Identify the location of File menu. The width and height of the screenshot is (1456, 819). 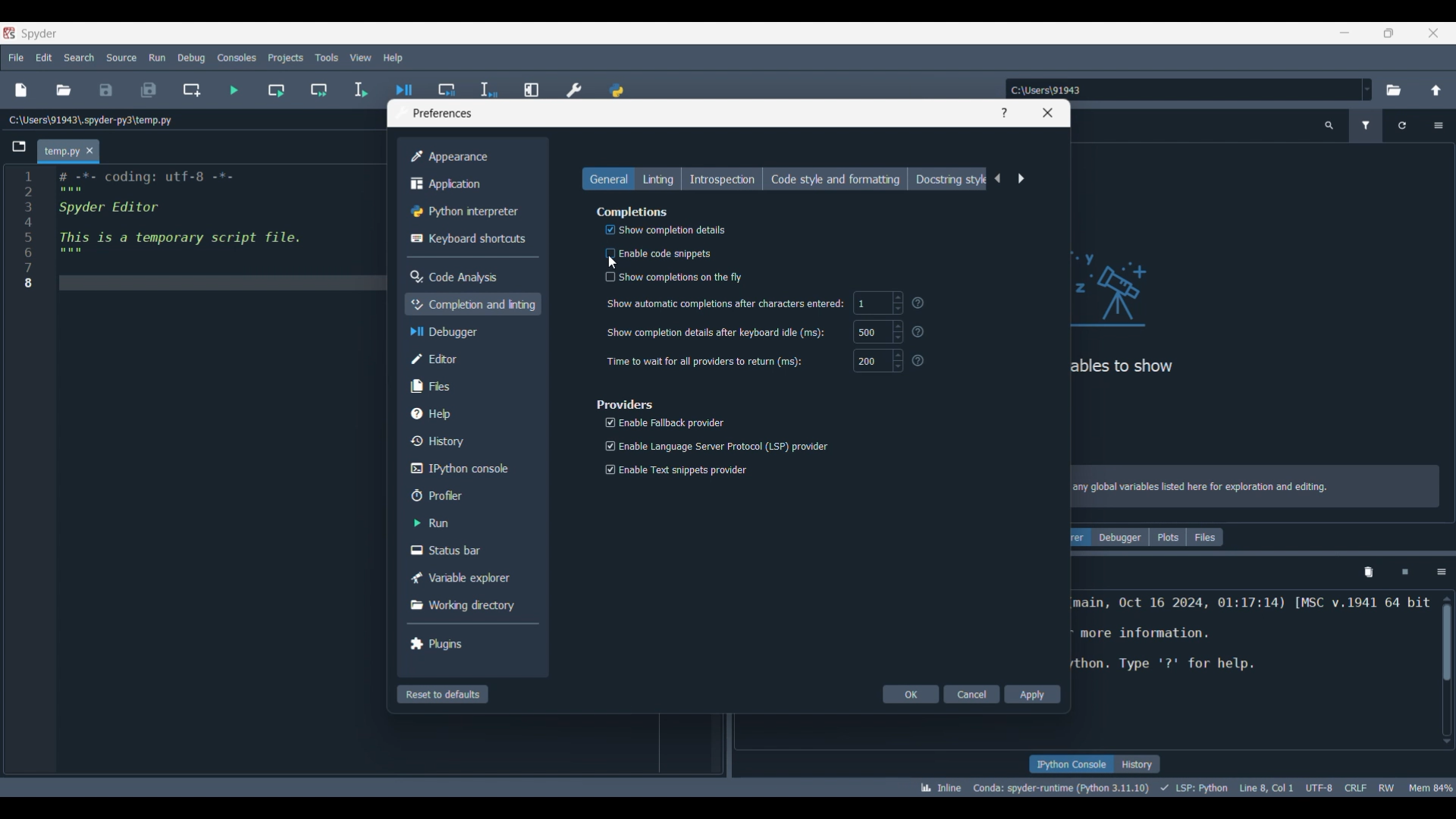
(16, 58).